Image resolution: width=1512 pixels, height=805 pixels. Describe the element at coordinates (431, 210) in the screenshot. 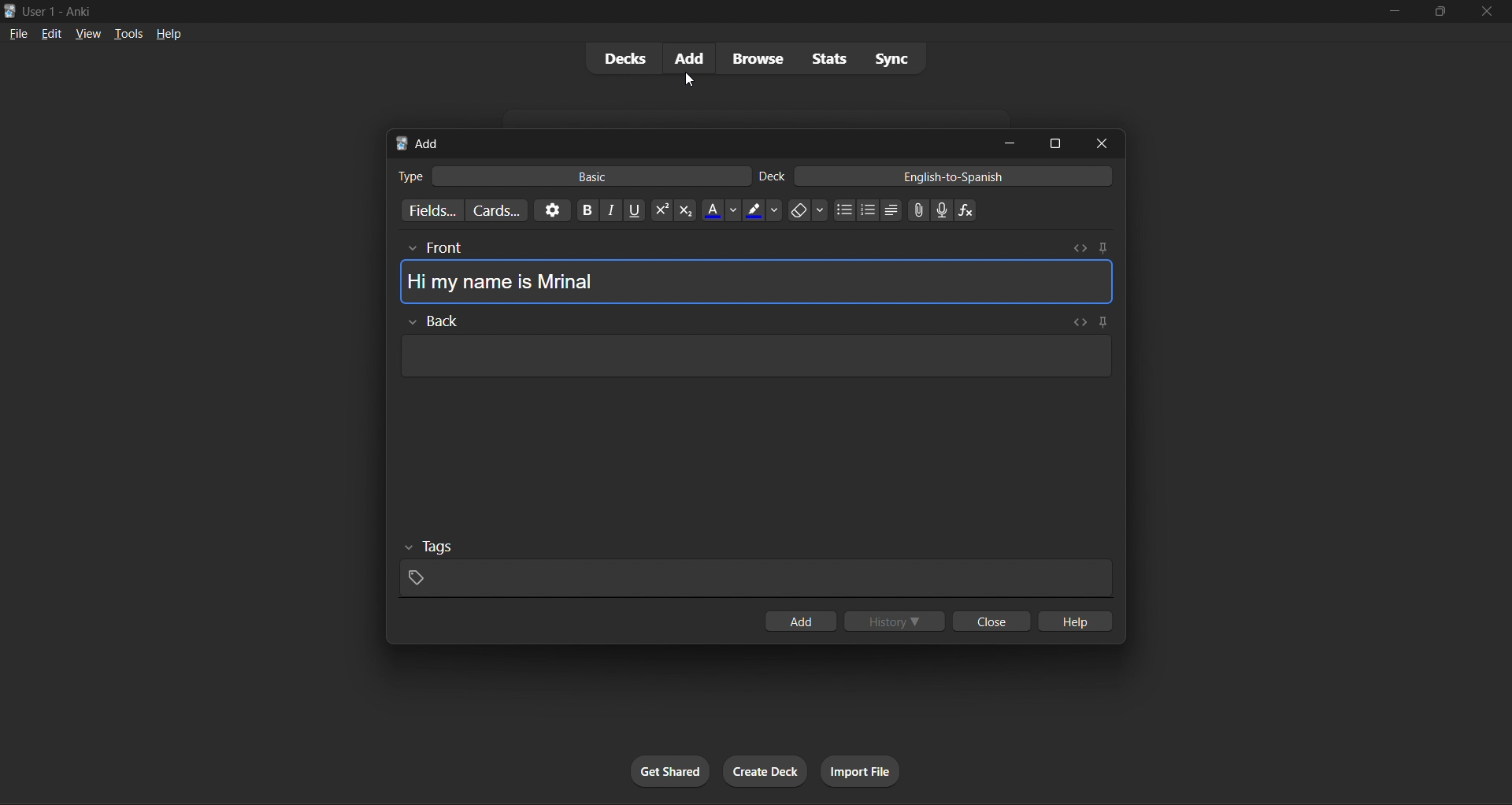

I see `customize fields` at that location.